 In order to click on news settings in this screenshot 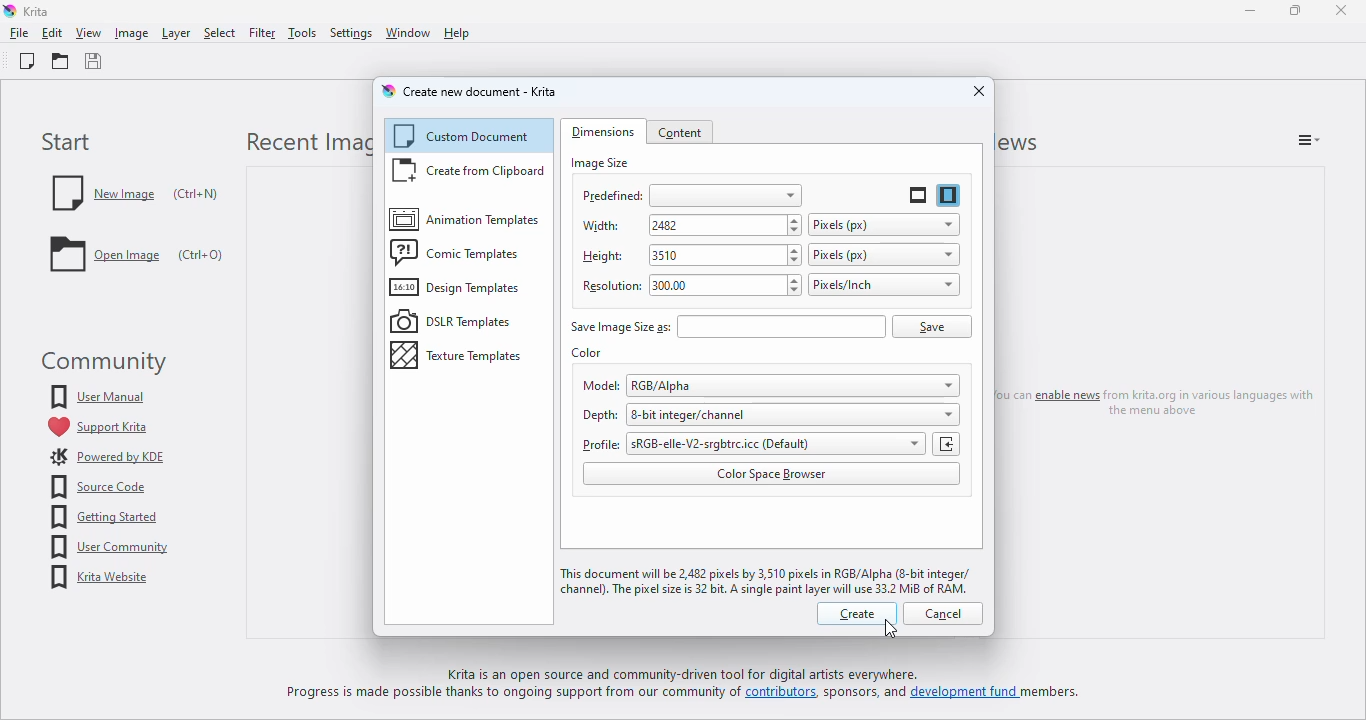, I will do `click(1309, 139)`.